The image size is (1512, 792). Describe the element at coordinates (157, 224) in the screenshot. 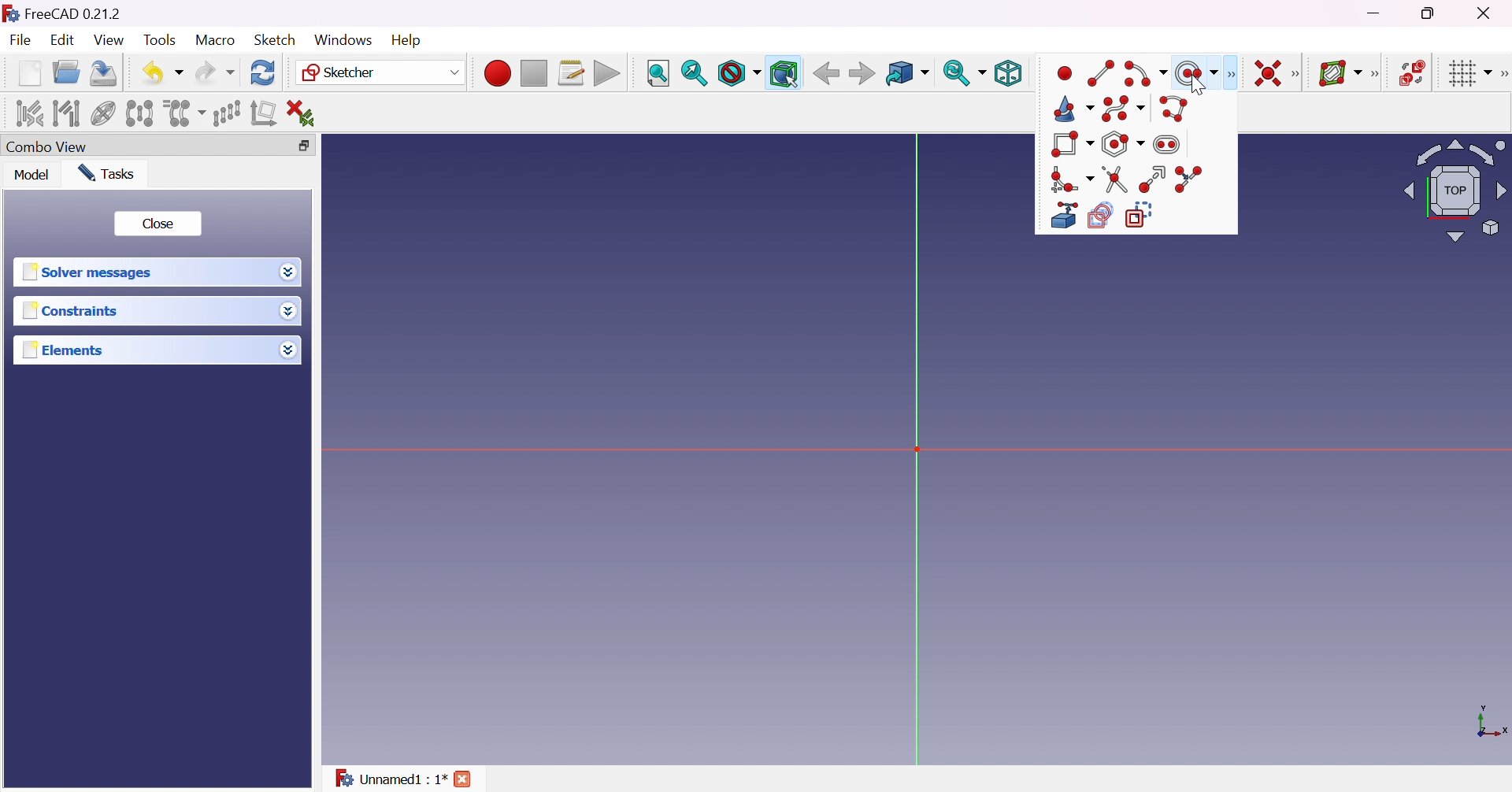

I see `Close` at that location.